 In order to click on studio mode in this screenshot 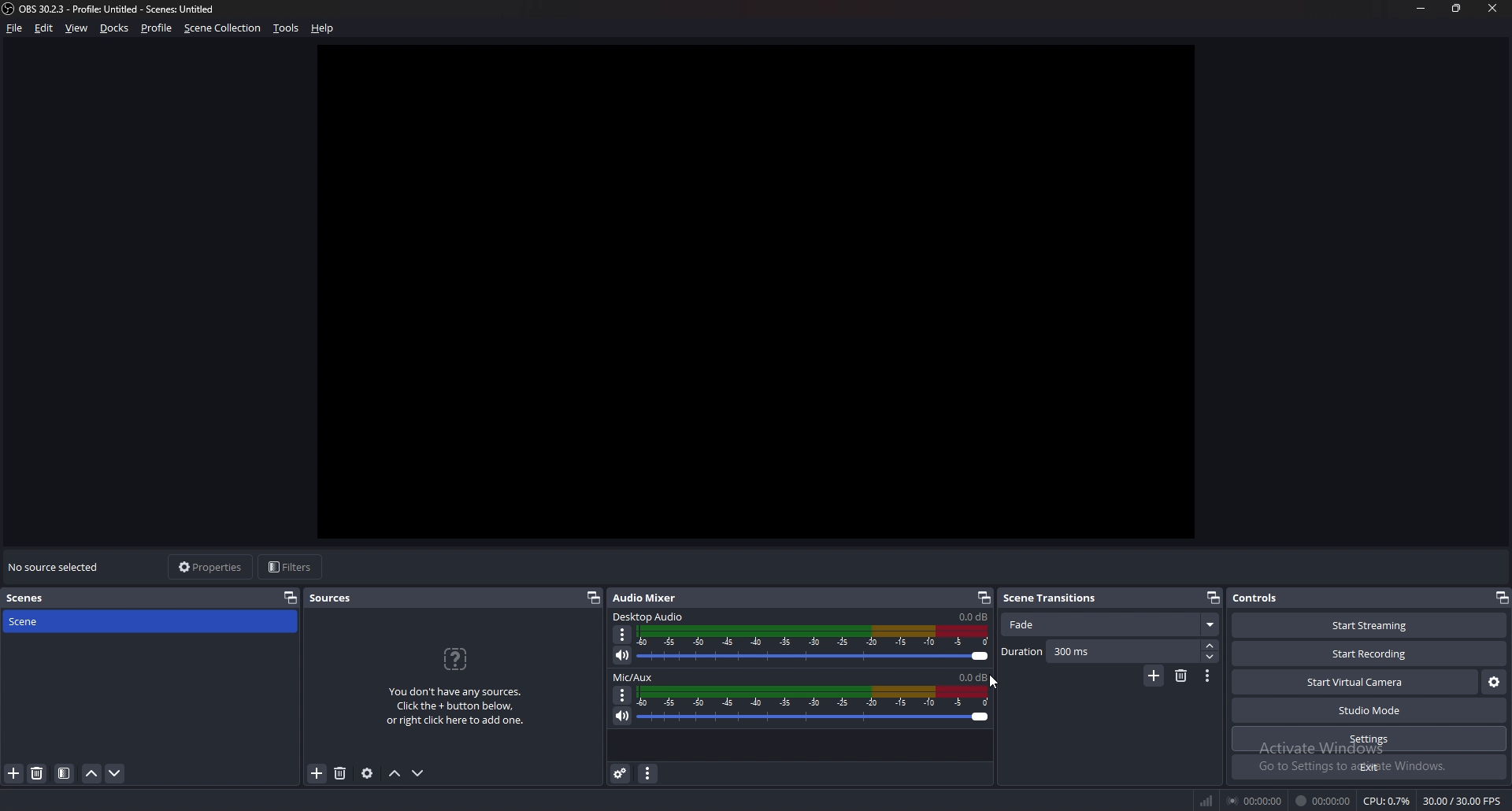, I will do `click(1370, 711)`.